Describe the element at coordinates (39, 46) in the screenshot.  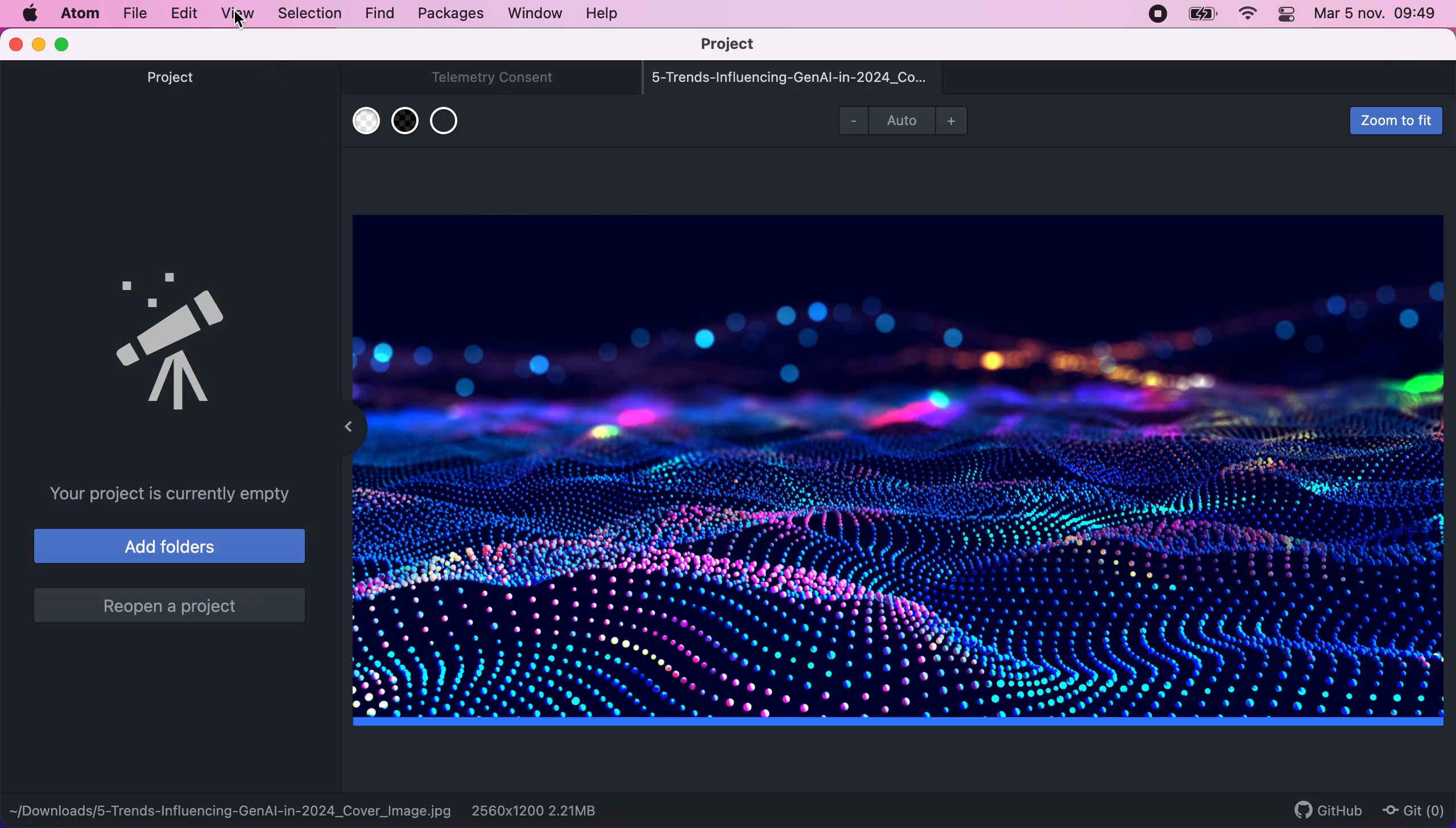
I see `minimize` at that location.